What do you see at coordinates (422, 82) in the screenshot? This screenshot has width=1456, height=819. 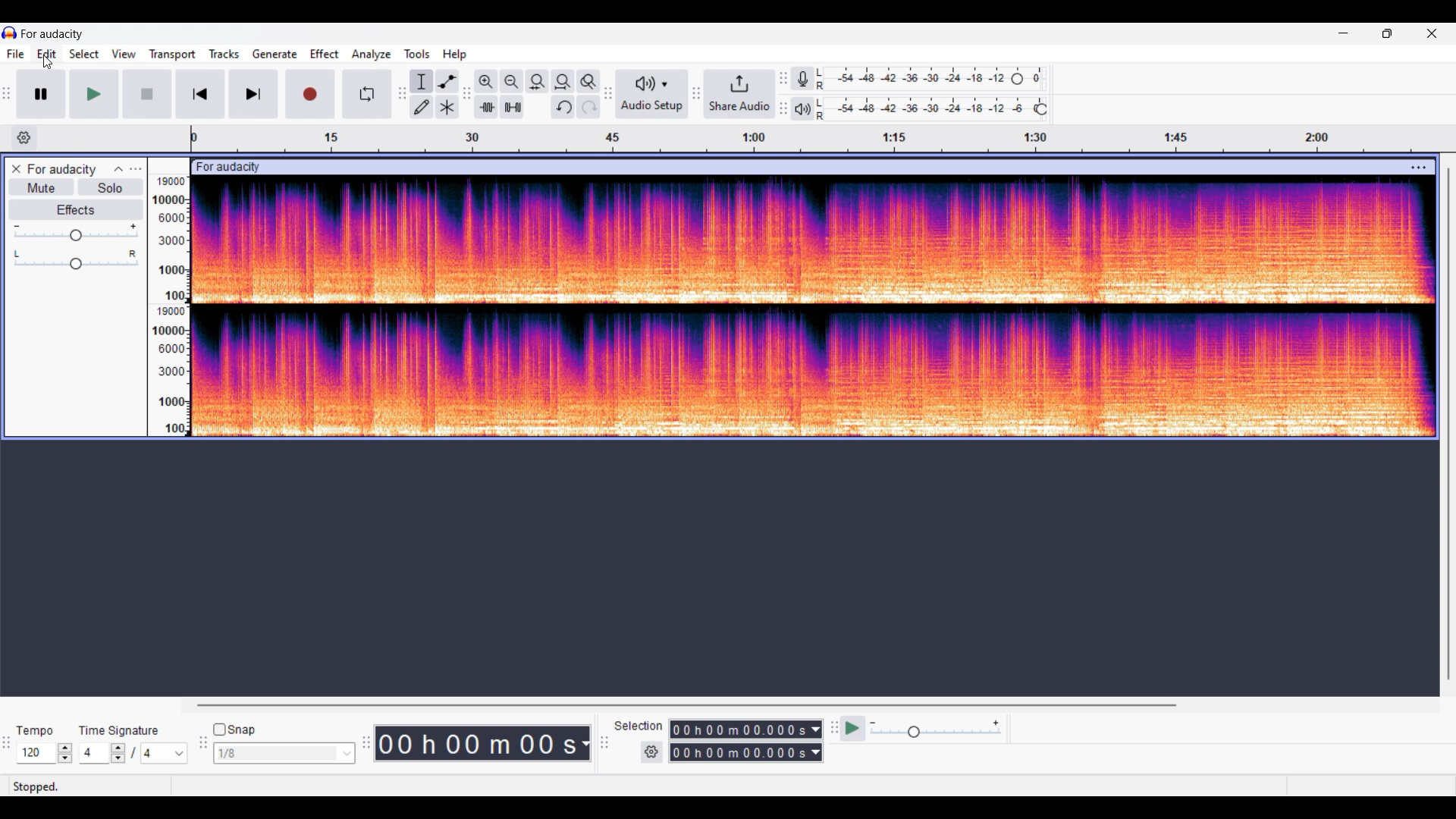 I see `Selection tool` at bounding box center [422, 82].